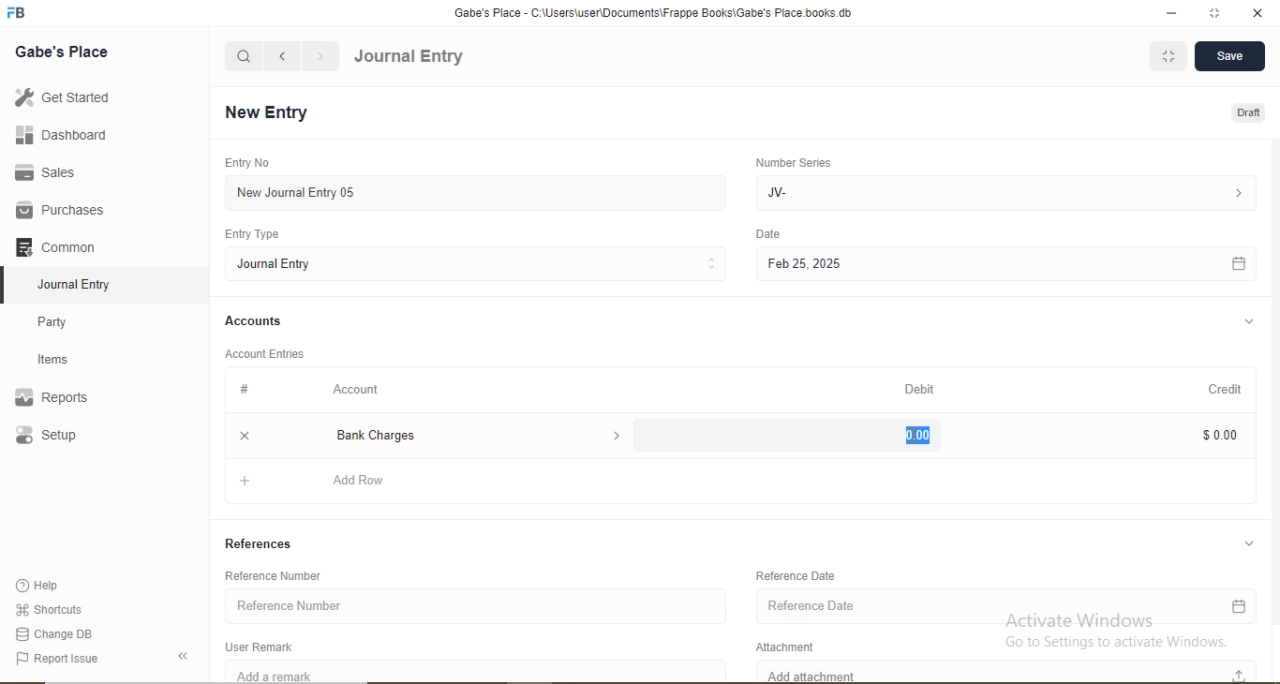 The height and width of the screenshot is (684, 1280). Describe the element at coordinates (272, 113) in the screenshot. I see `New Entry` at that location.